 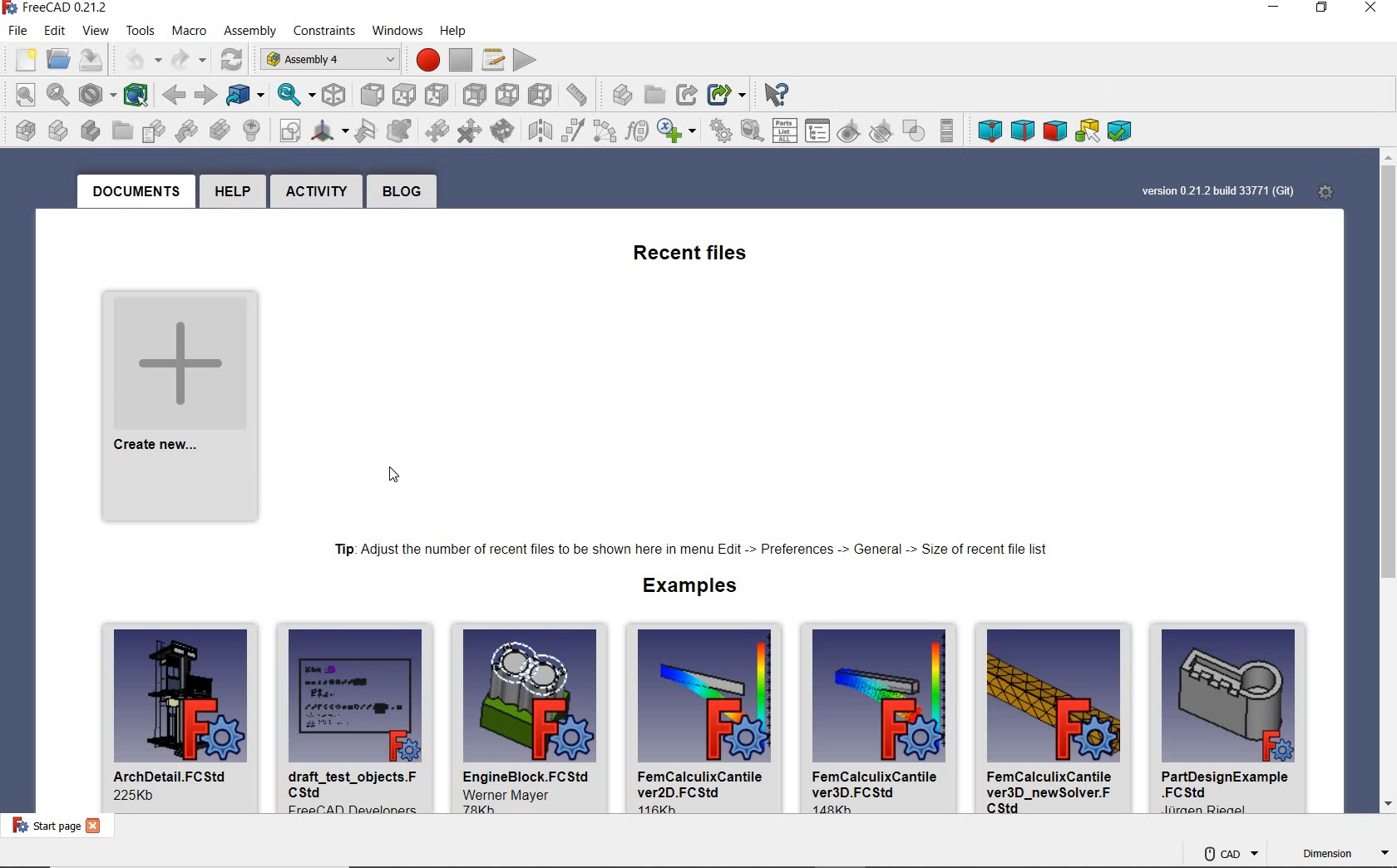 What do you see at coordinates (541, 95) in the screenshot?
I see `left` at bounding box center [541, 95].